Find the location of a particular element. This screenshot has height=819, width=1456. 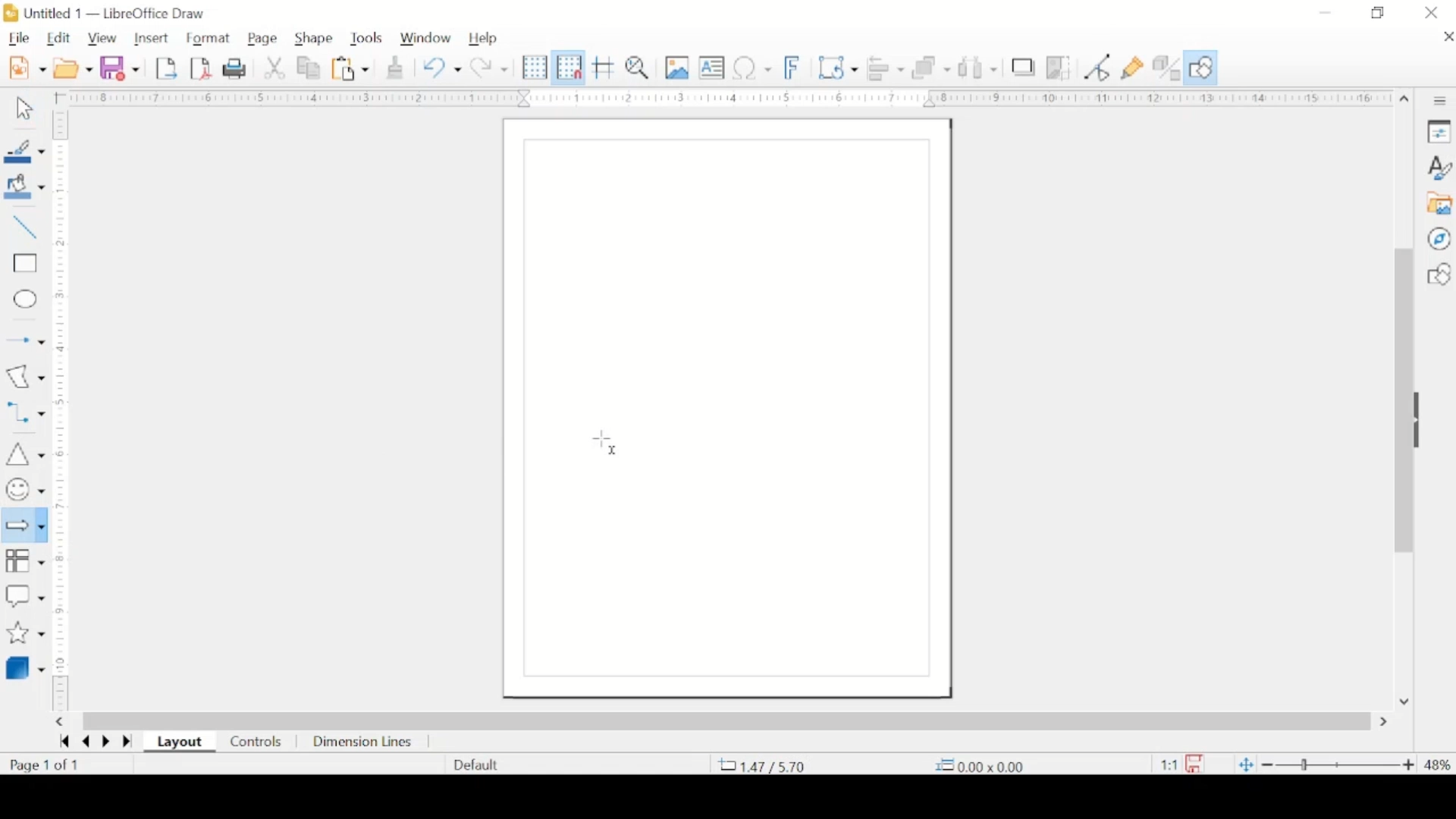

last is located at coordinates (127, 742).